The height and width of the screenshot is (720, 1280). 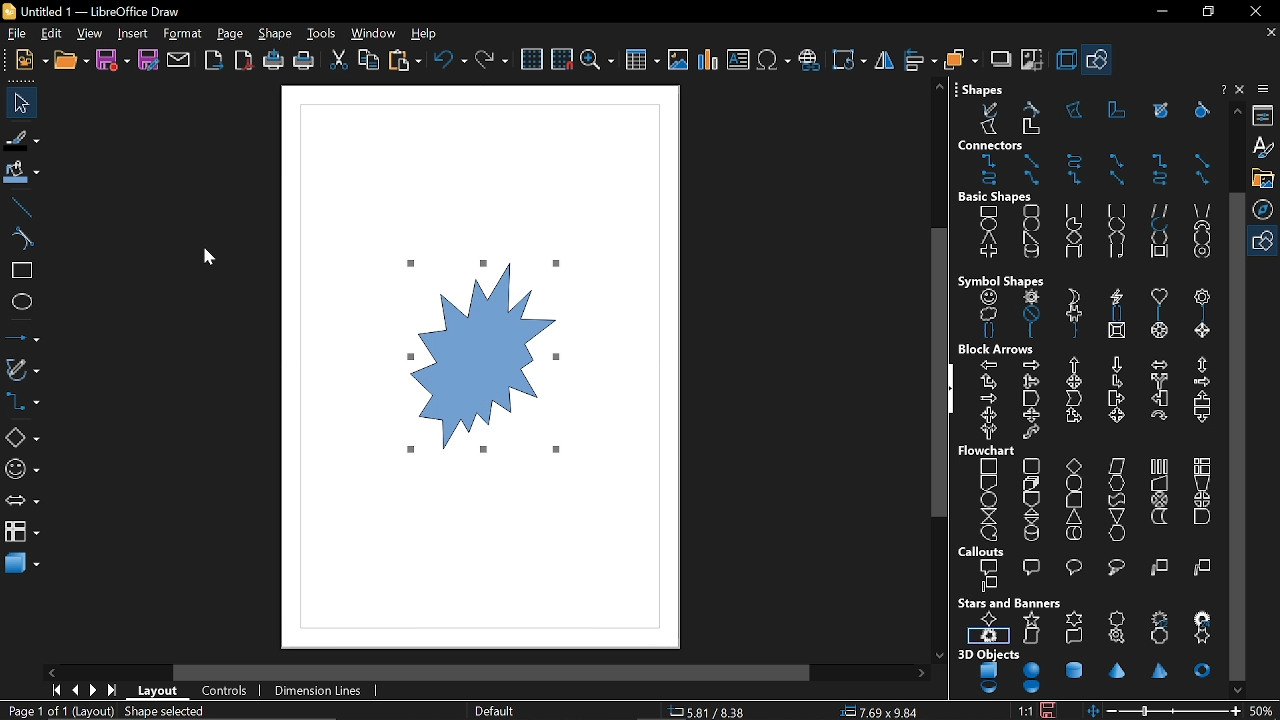 I want to click on Symbol shapes, so click(x=1084, y=305).